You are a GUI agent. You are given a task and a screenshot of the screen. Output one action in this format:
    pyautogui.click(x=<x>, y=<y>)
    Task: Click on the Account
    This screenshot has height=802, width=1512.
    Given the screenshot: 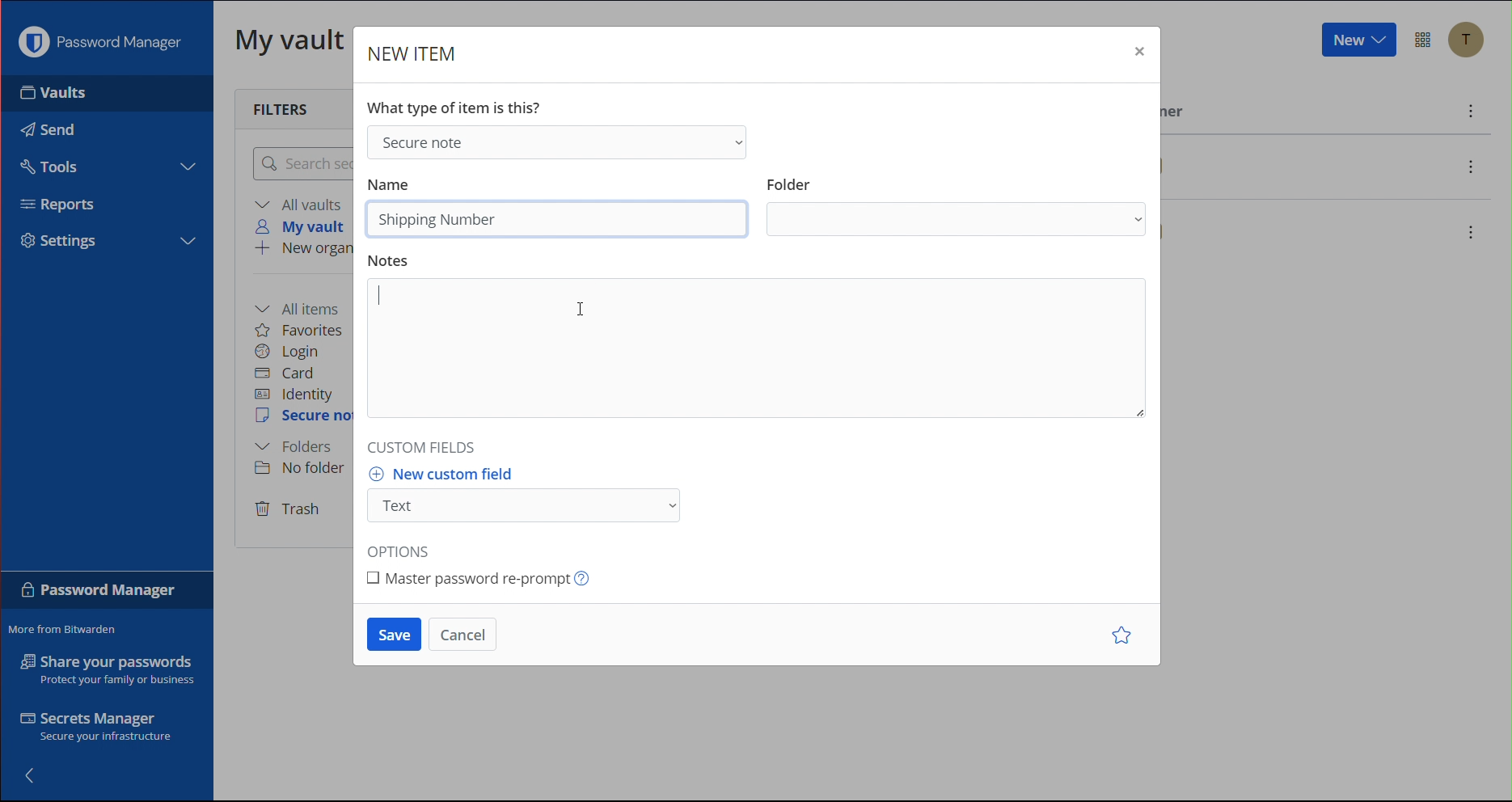 What is the action you would take?
    pyautogui.click(x=1469, y=40)
    